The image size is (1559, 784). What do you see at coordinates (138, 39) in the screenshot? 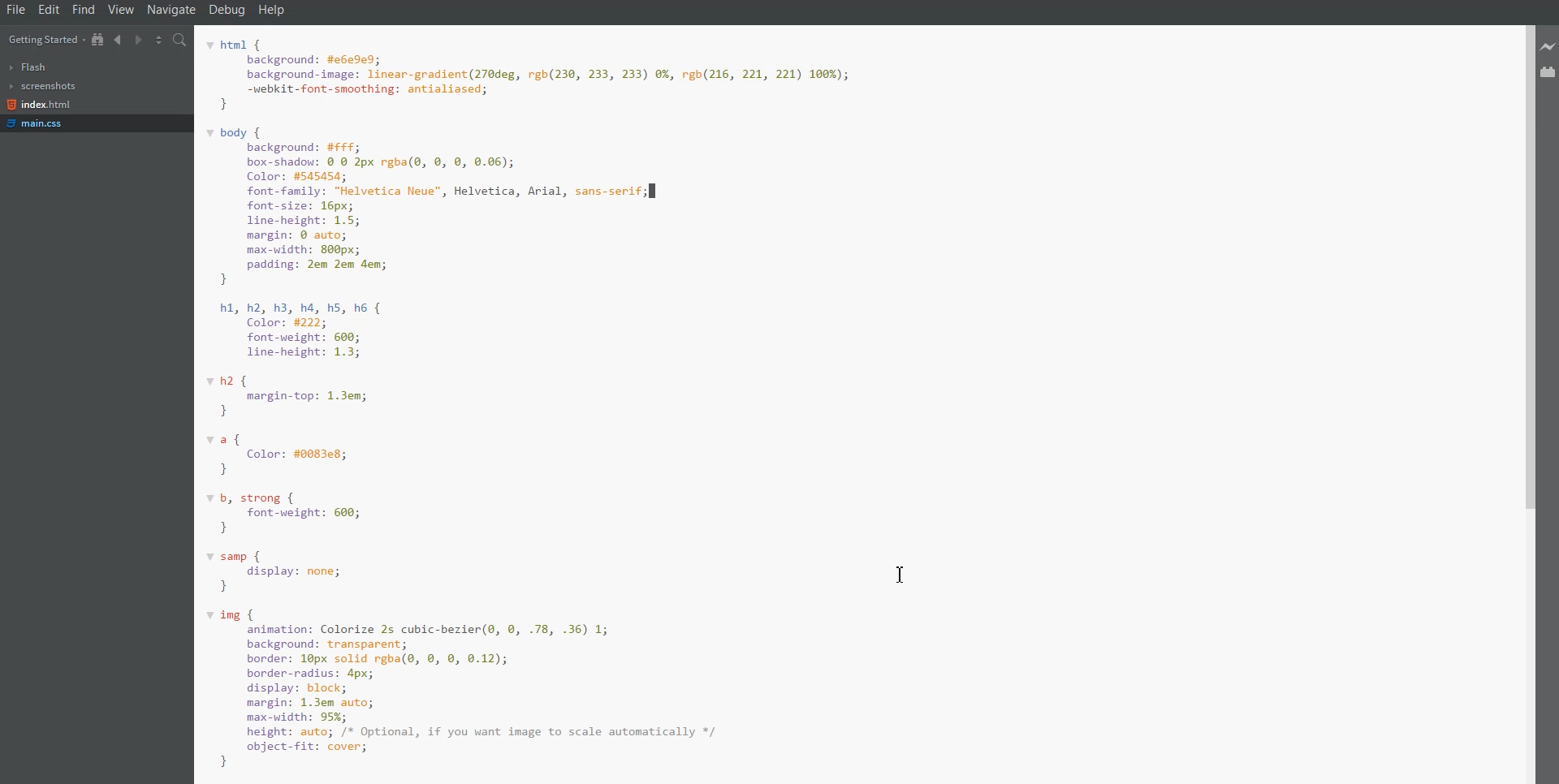
I see `Navigate Forwards` at bounding box center [138, 39].